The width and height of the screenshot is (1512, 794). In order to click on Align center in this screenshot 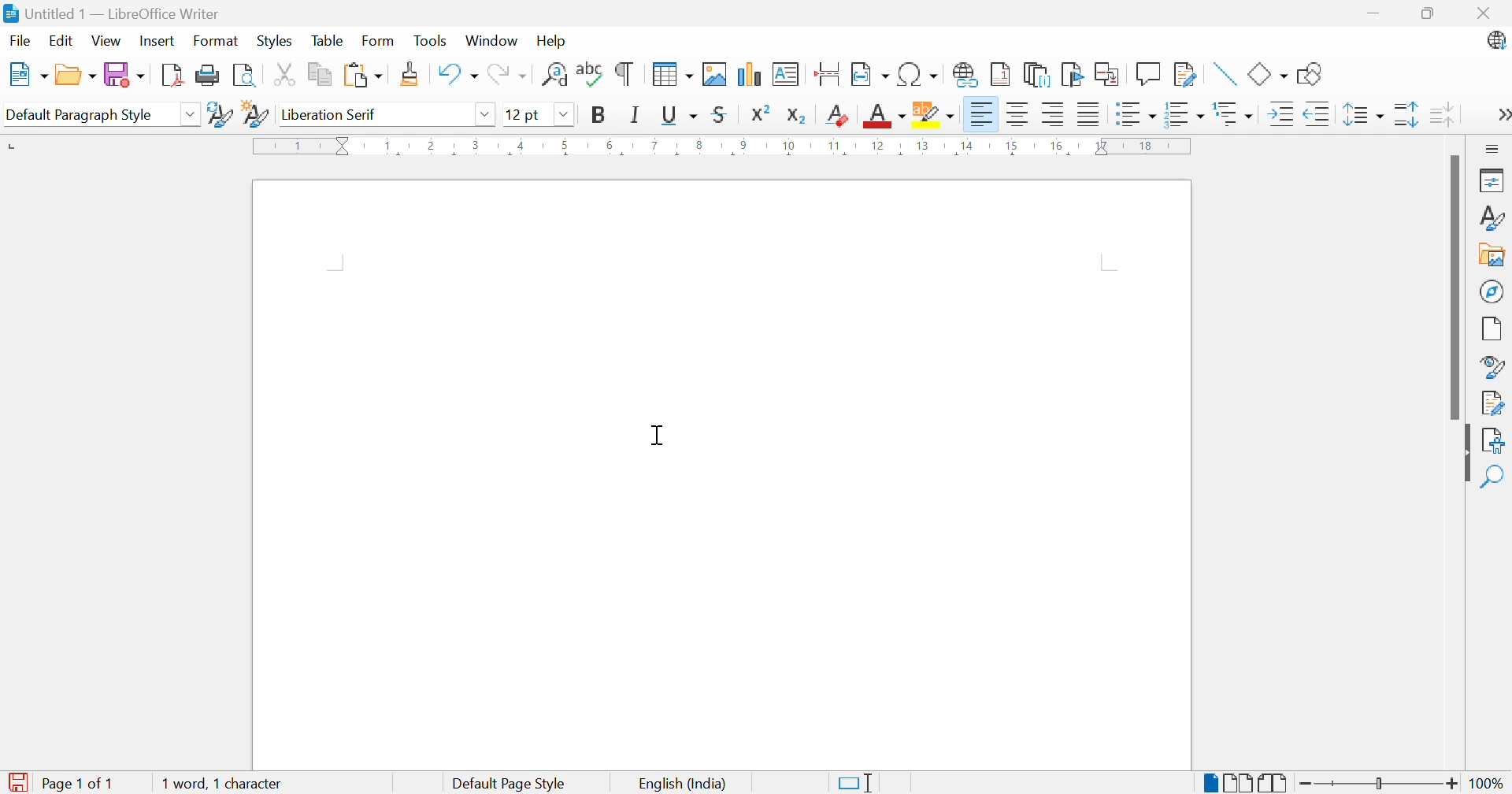, I will do `click(1021, 117)`.